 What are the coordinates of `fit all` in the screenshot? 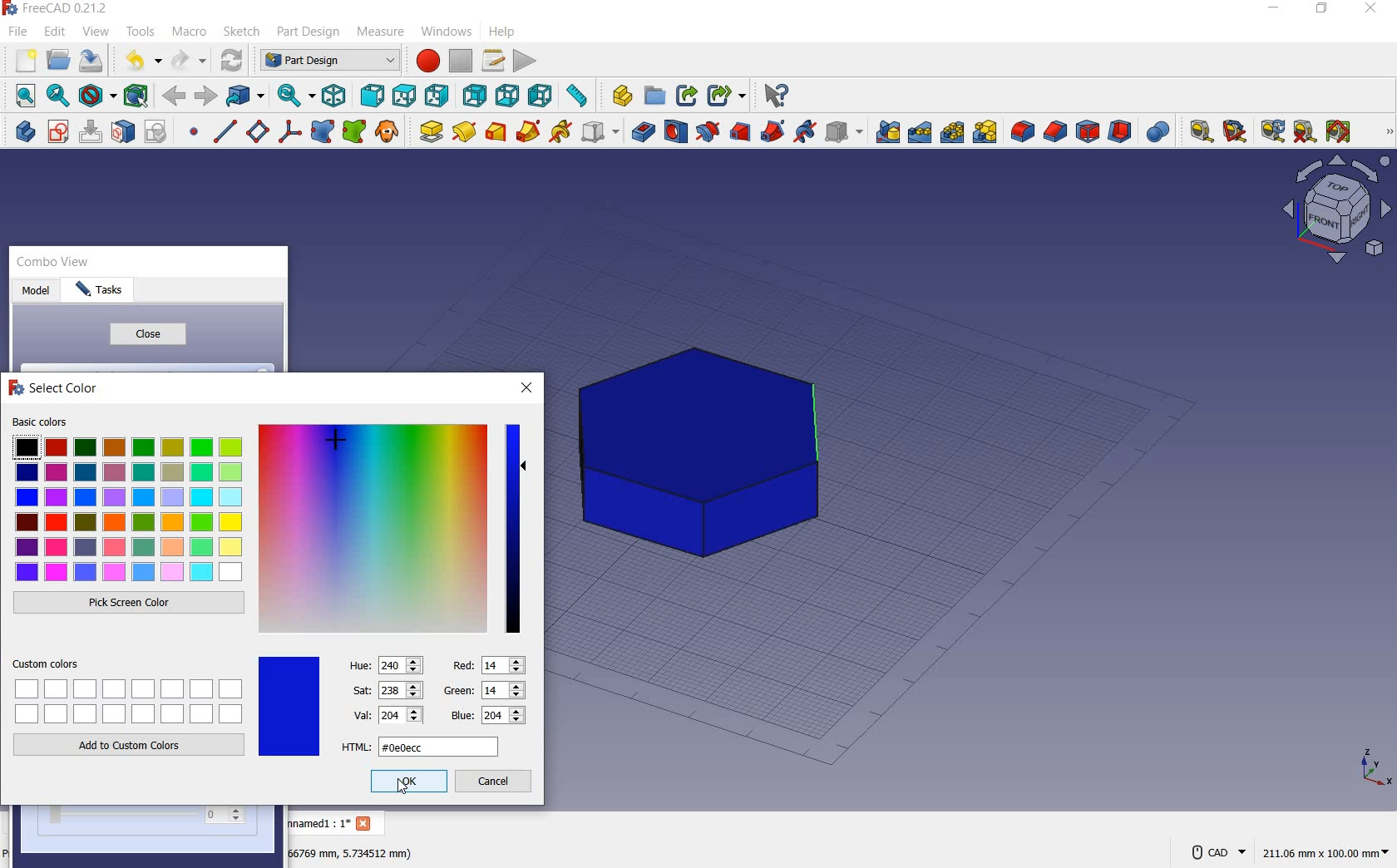 It's located at (22, 95).